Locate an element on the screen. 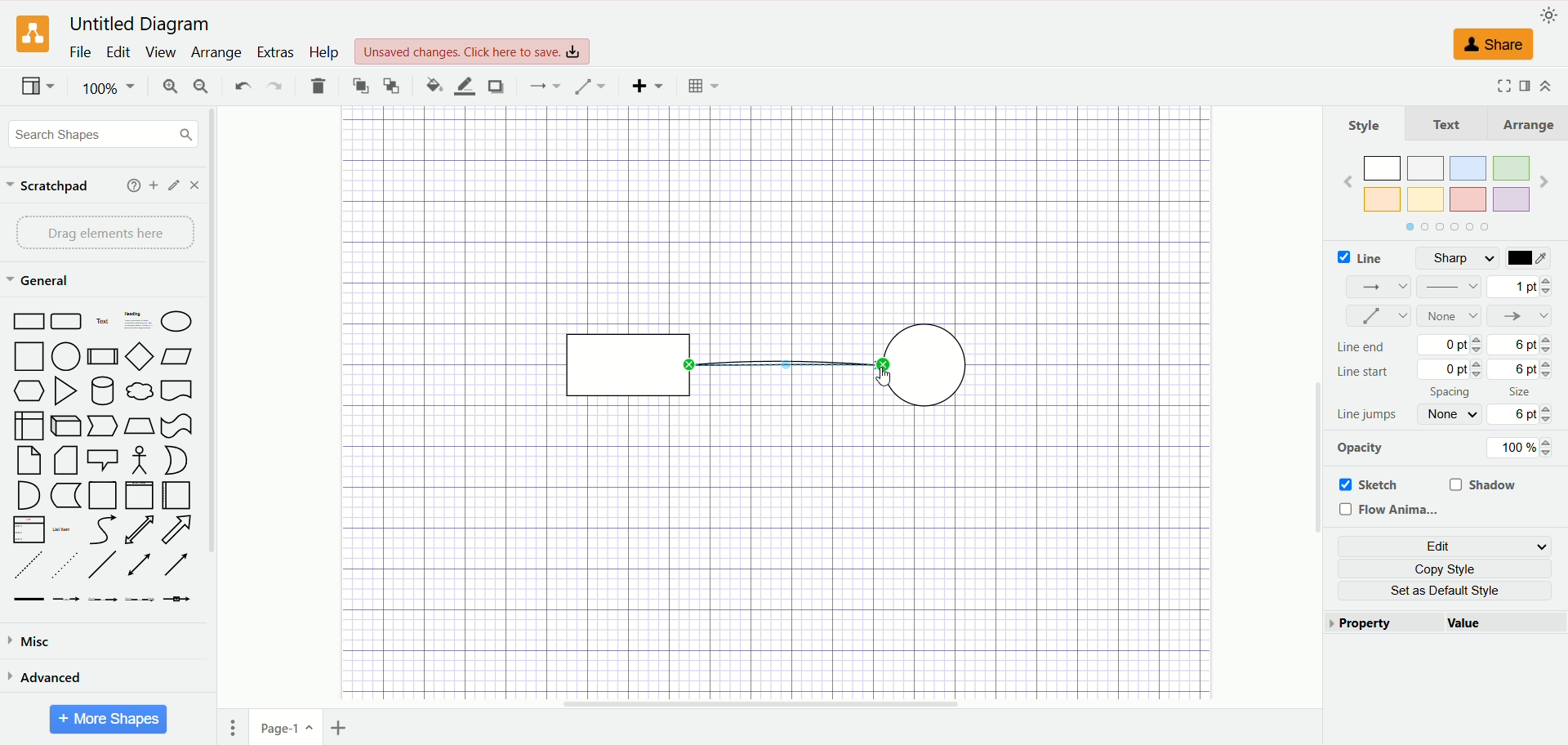 Image resolution: width=1568 pixels, height=745 pixels. style is located at coordinates (1365, 123).